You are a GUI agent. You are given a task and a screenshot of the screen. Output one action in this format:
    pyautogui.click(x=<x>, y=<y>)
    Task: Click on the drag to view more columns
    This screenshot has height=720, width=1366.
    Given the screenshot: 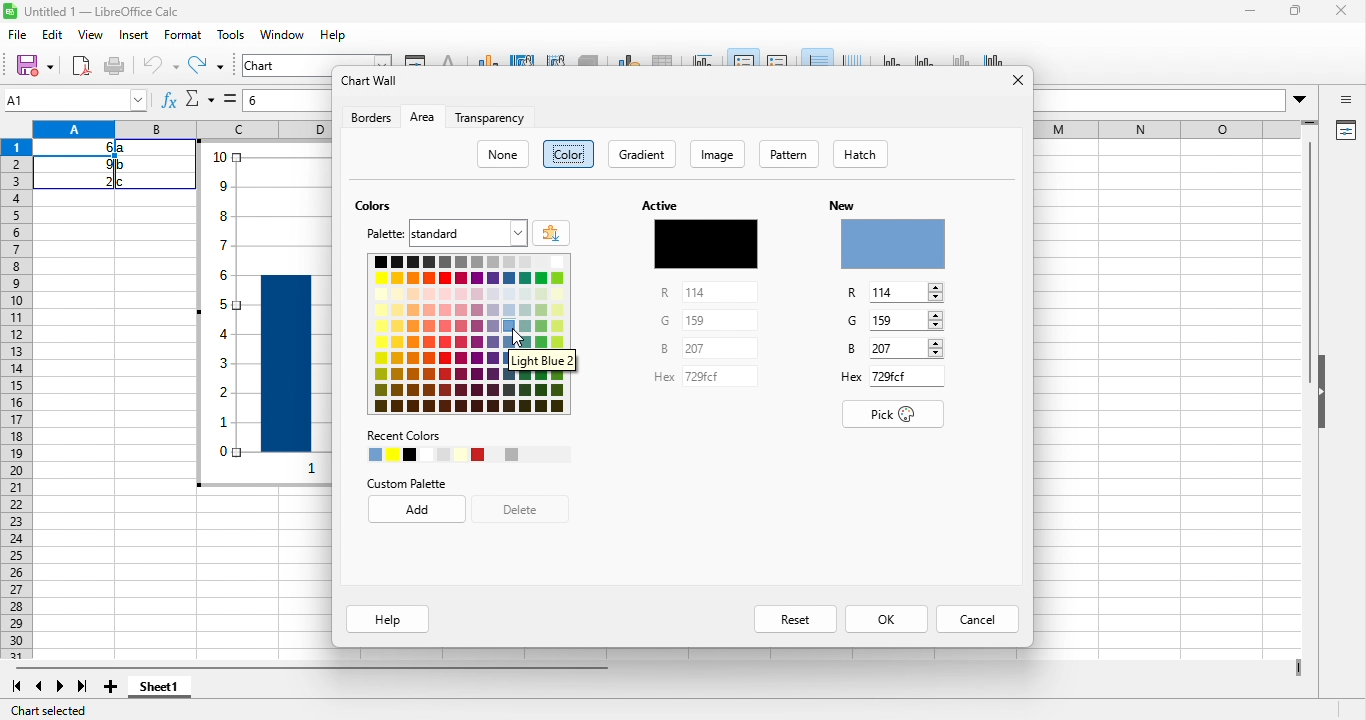 What is the action you would take?
    pyautogui.click(x=1293, y=663)
    